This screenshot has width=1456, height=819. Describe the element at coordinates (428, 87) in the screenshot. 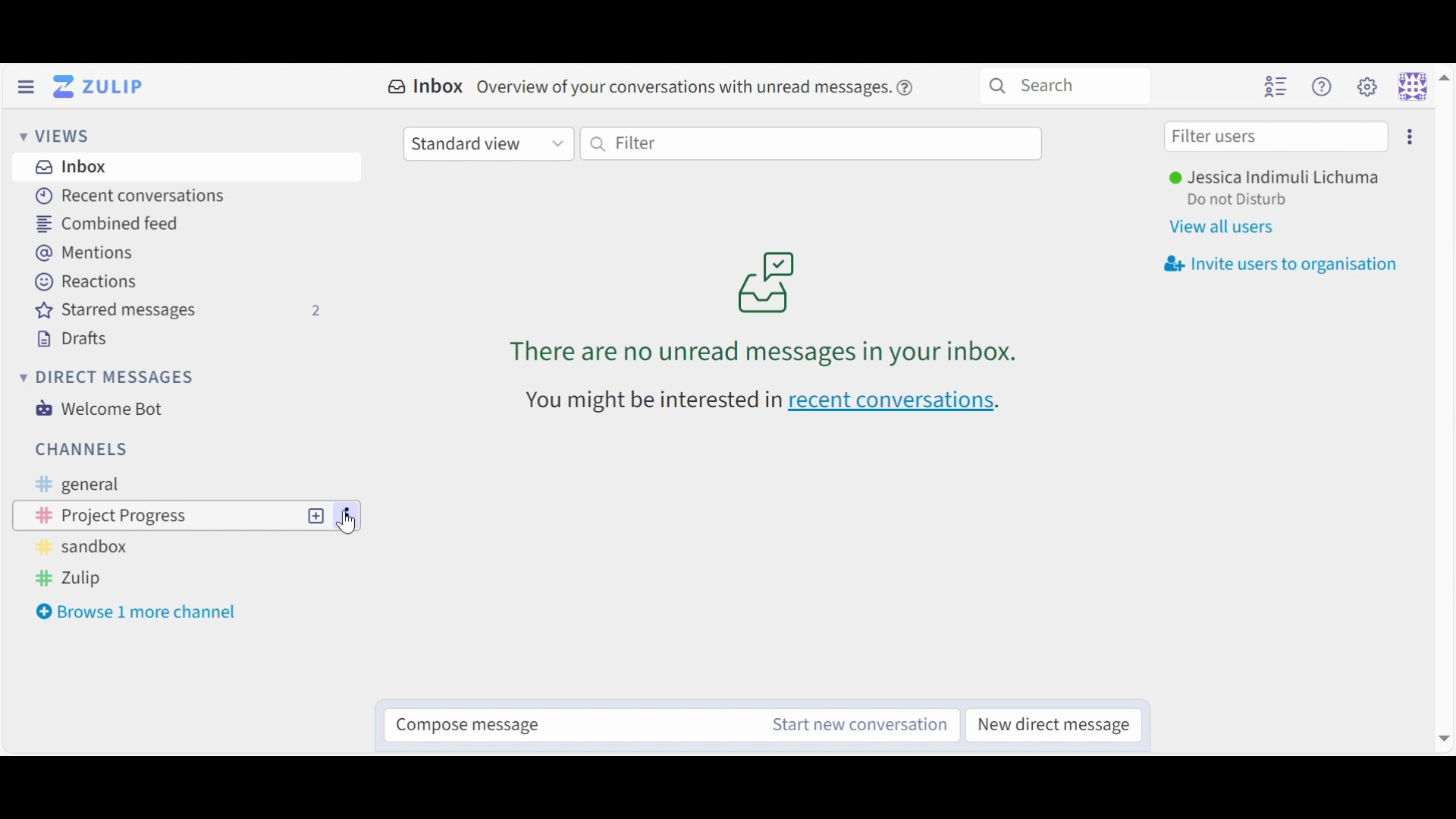

I see `Inbox` at that location.